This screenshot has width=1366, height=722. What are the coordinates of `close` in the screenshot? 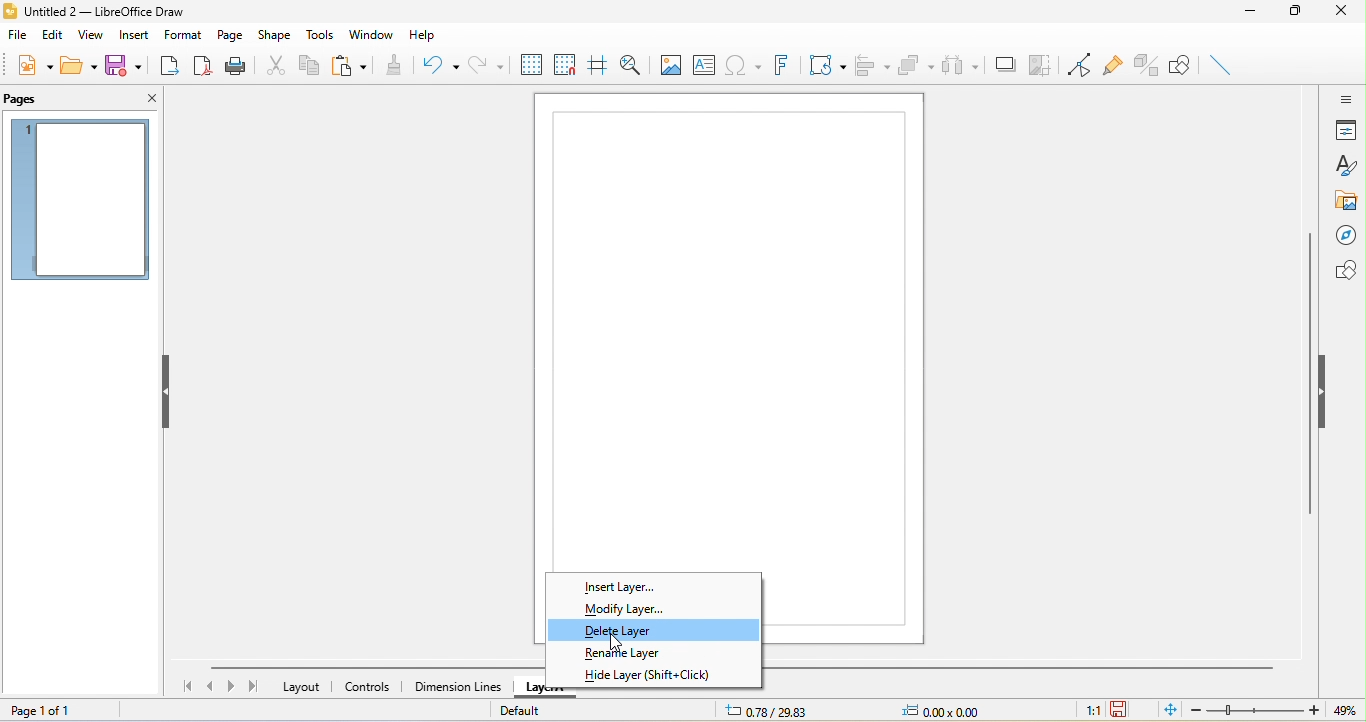 It's located at (148, 97).